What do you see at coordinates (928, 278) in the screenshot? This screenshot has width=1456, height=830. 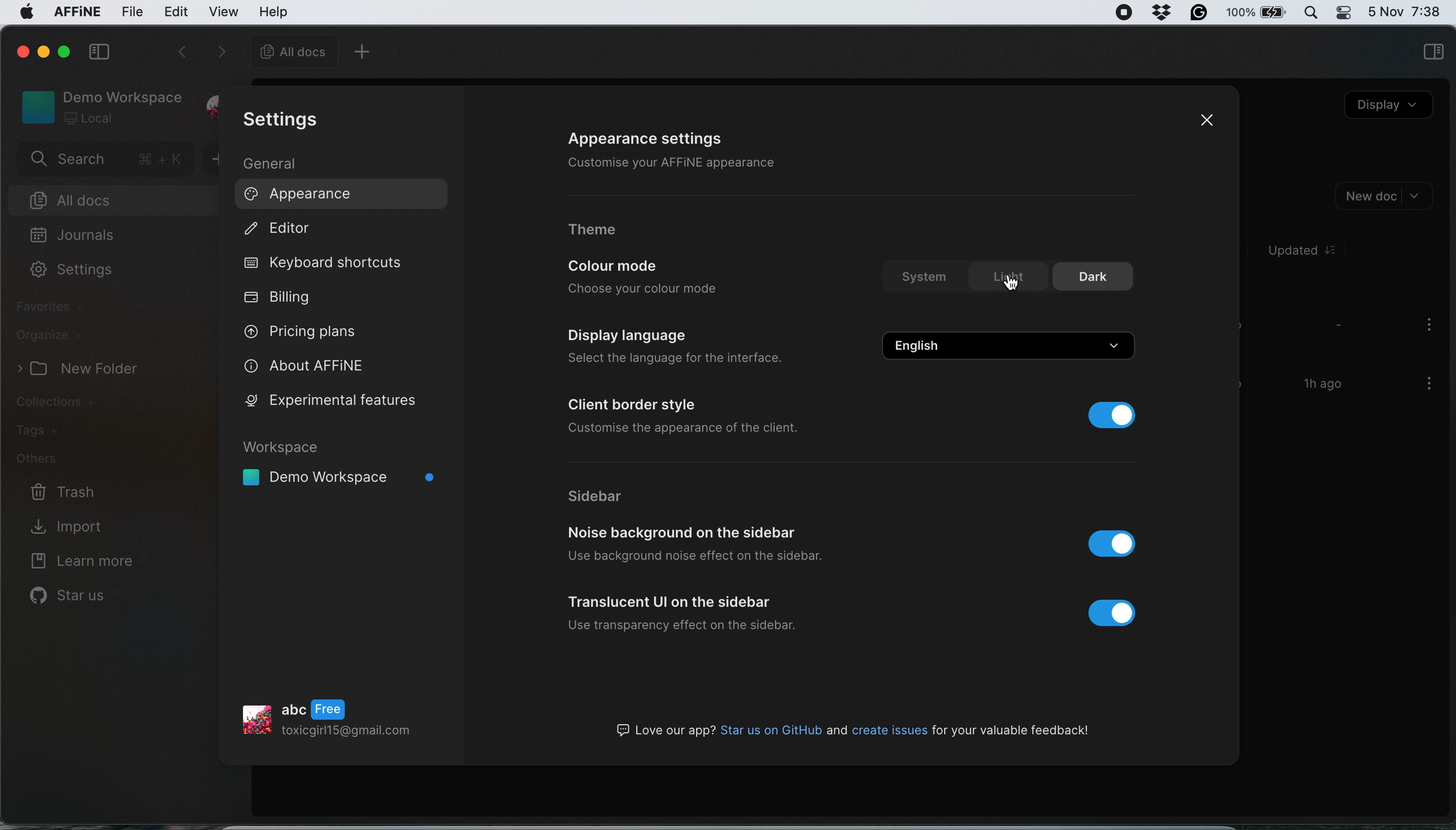 I see `systen` at bounding box center [928, 278].